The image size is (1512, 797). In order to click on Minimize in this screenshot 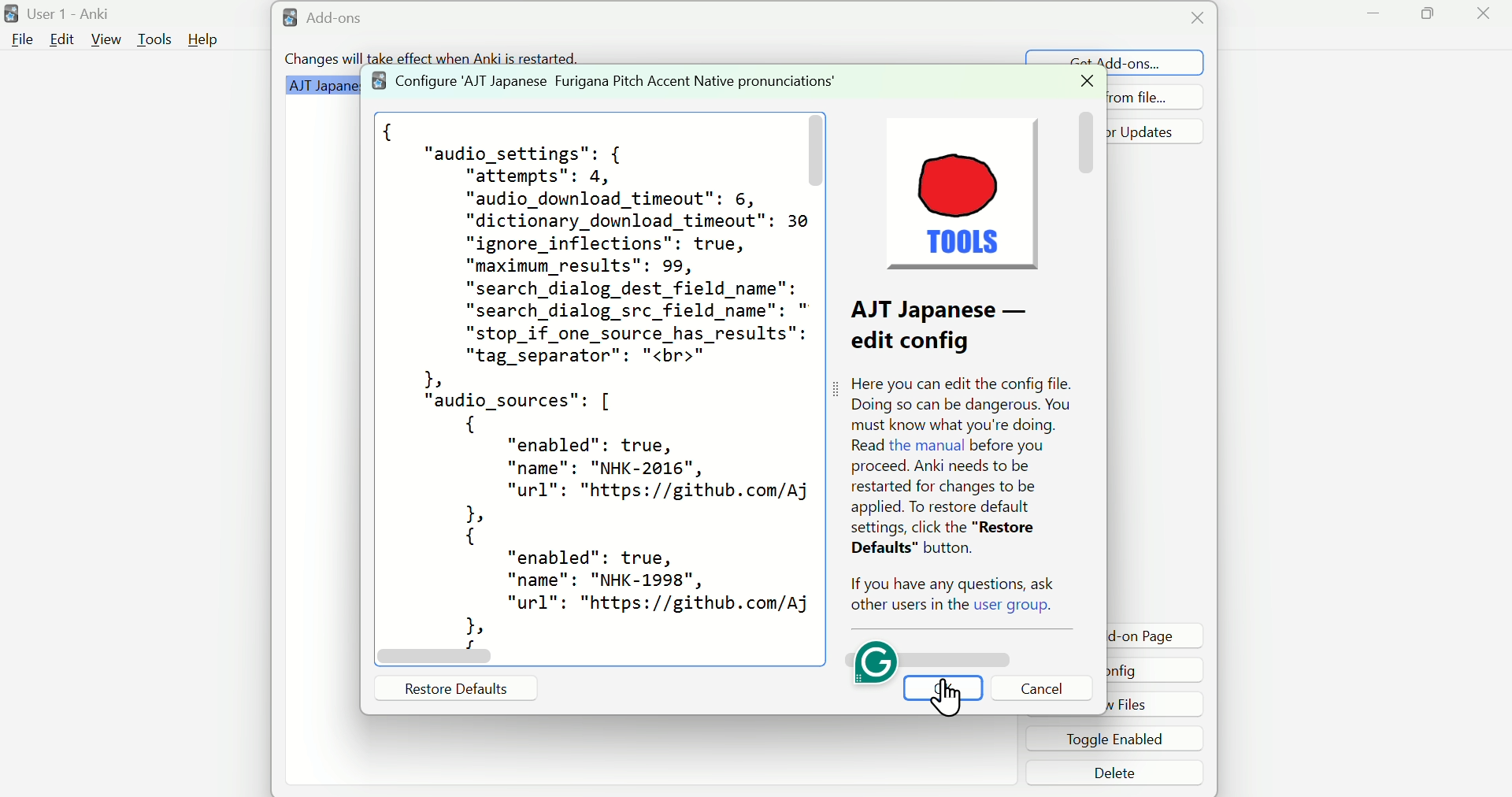, I will do `click(1380, 21)`.